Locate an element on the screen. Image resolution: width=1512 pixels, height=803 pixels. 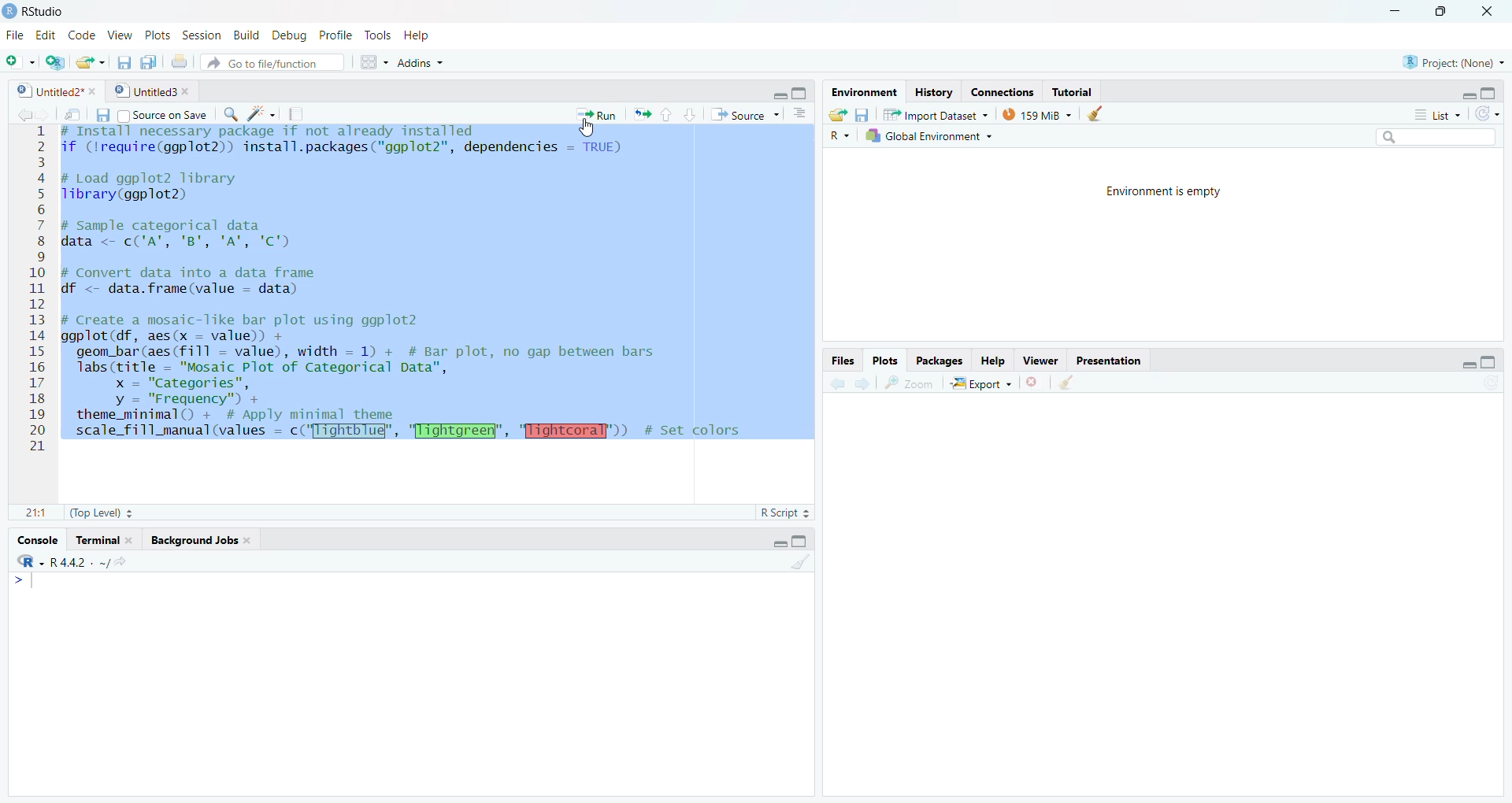
Clean is located at coordinates (801, 562).